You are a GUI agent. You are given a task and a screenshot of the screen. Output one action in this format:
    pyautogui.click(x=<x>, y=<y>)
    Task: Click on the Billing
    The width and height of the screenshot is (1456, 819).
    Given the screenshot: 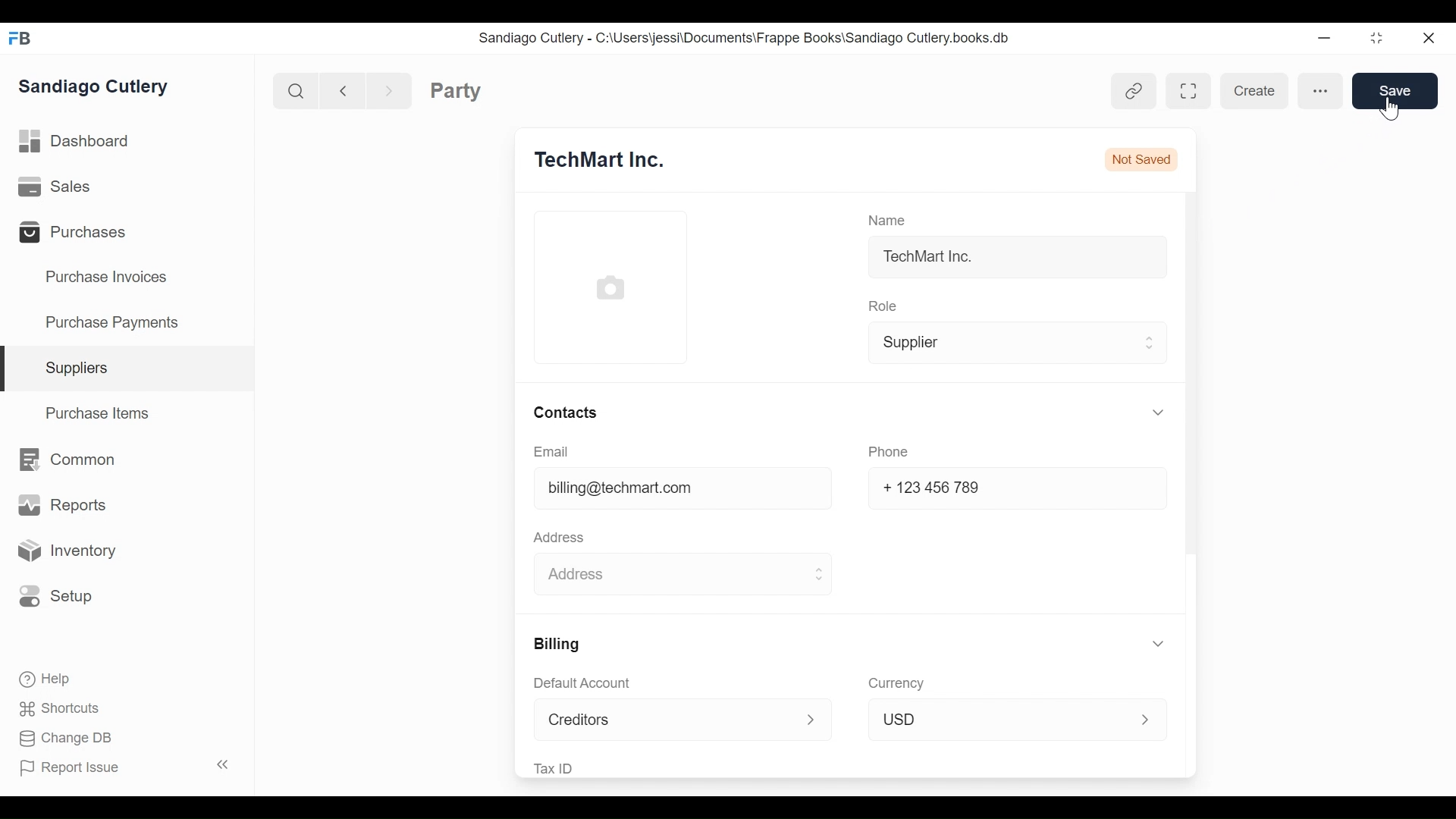 What is the action you would take?
    pyautogui.click(x=560, y=645)
    